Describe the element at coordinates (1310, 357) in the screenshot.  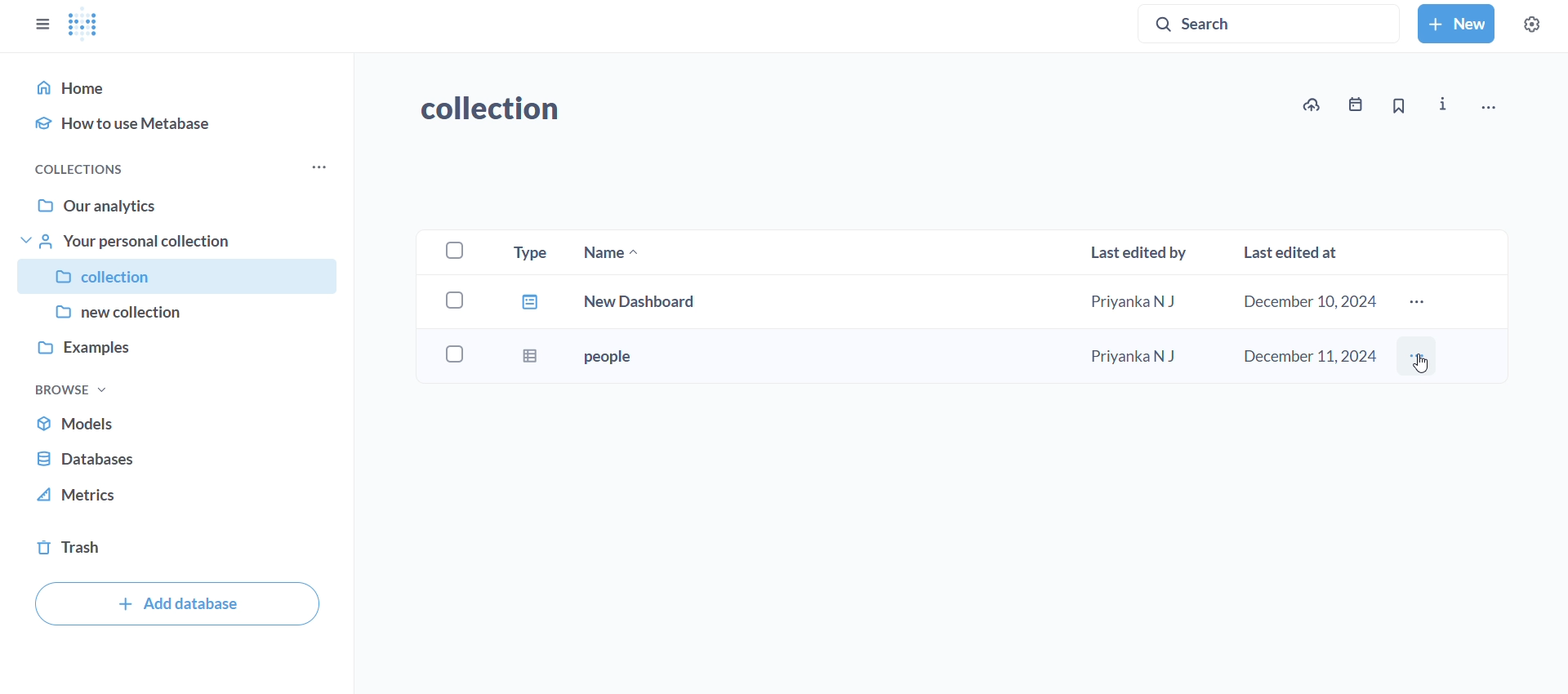
I see `december 11,2024` at that location.